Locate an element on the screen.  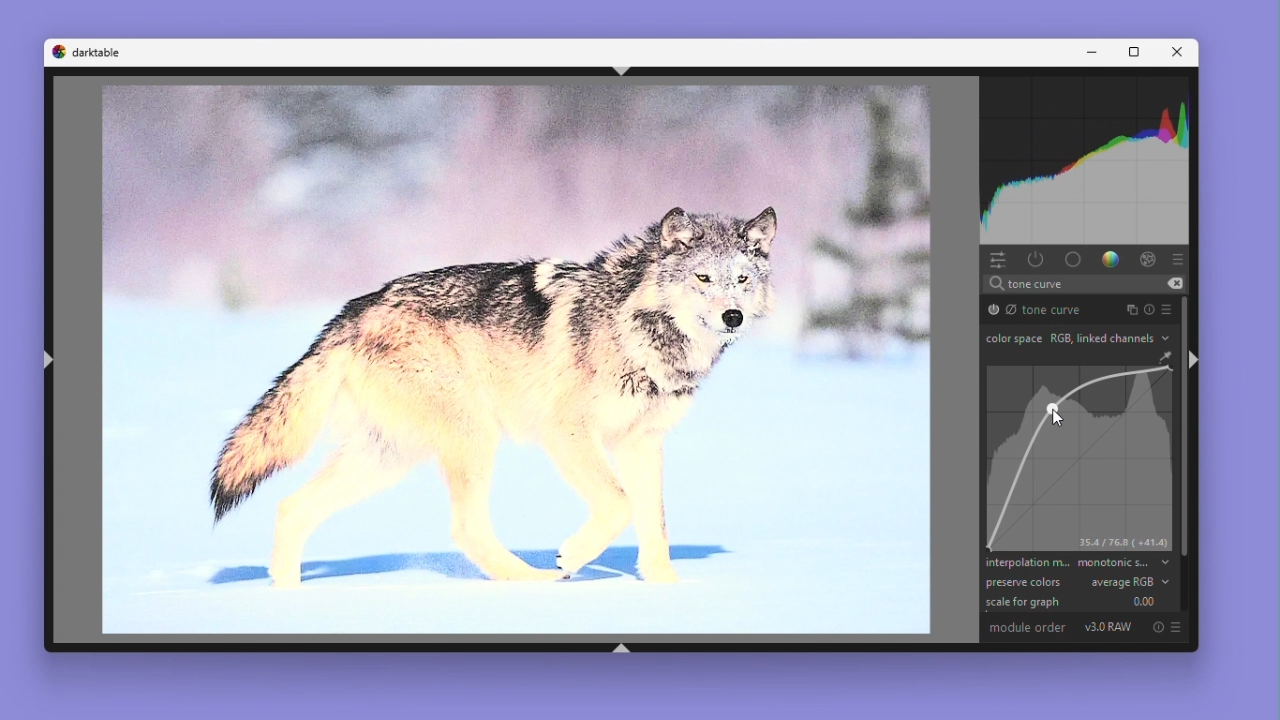
Interpolation method is located at coordinates (1076, 563).